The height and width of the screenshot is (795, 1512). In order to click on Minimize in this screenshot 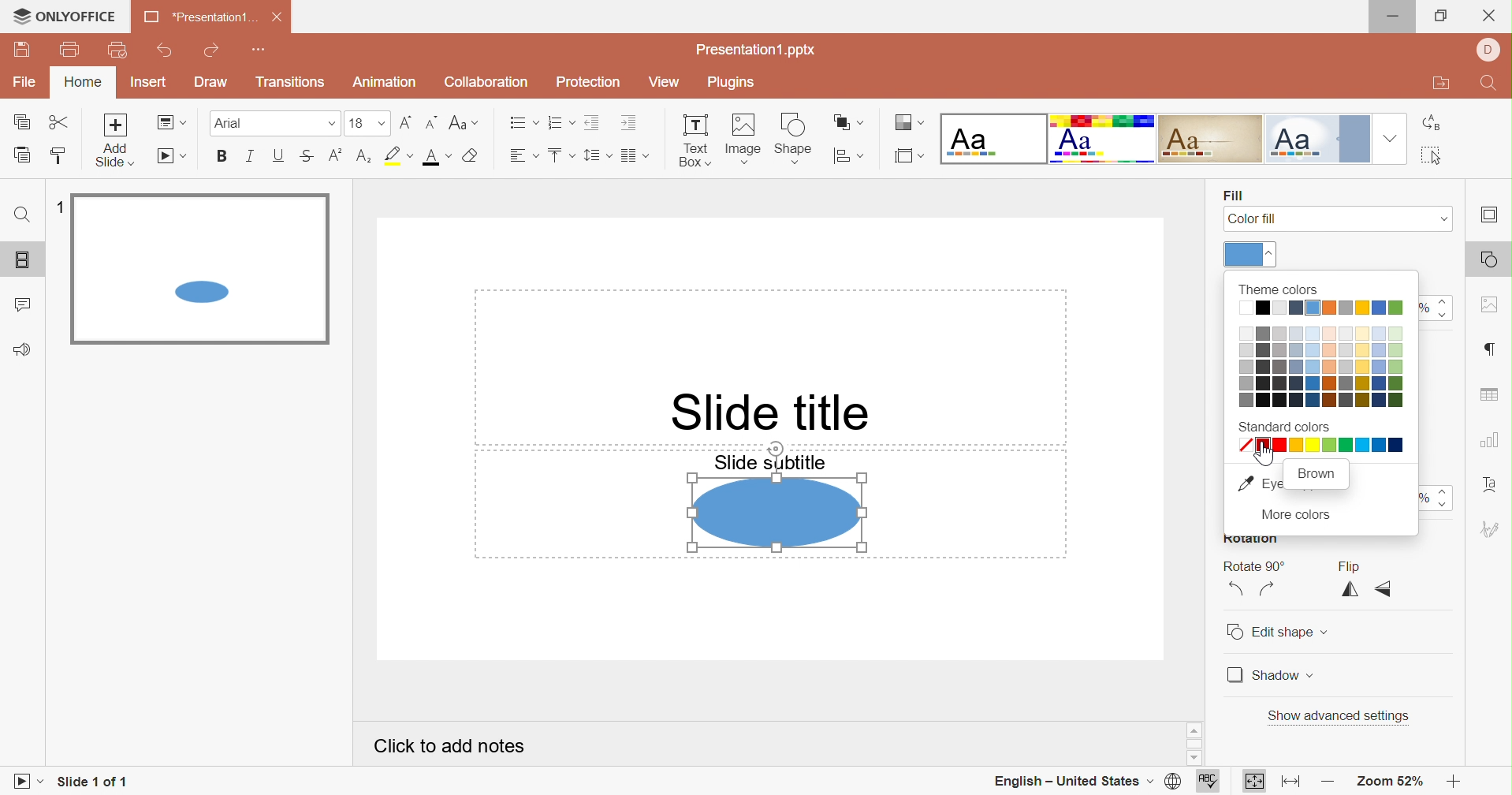, I will do `click(1398, 17)`.